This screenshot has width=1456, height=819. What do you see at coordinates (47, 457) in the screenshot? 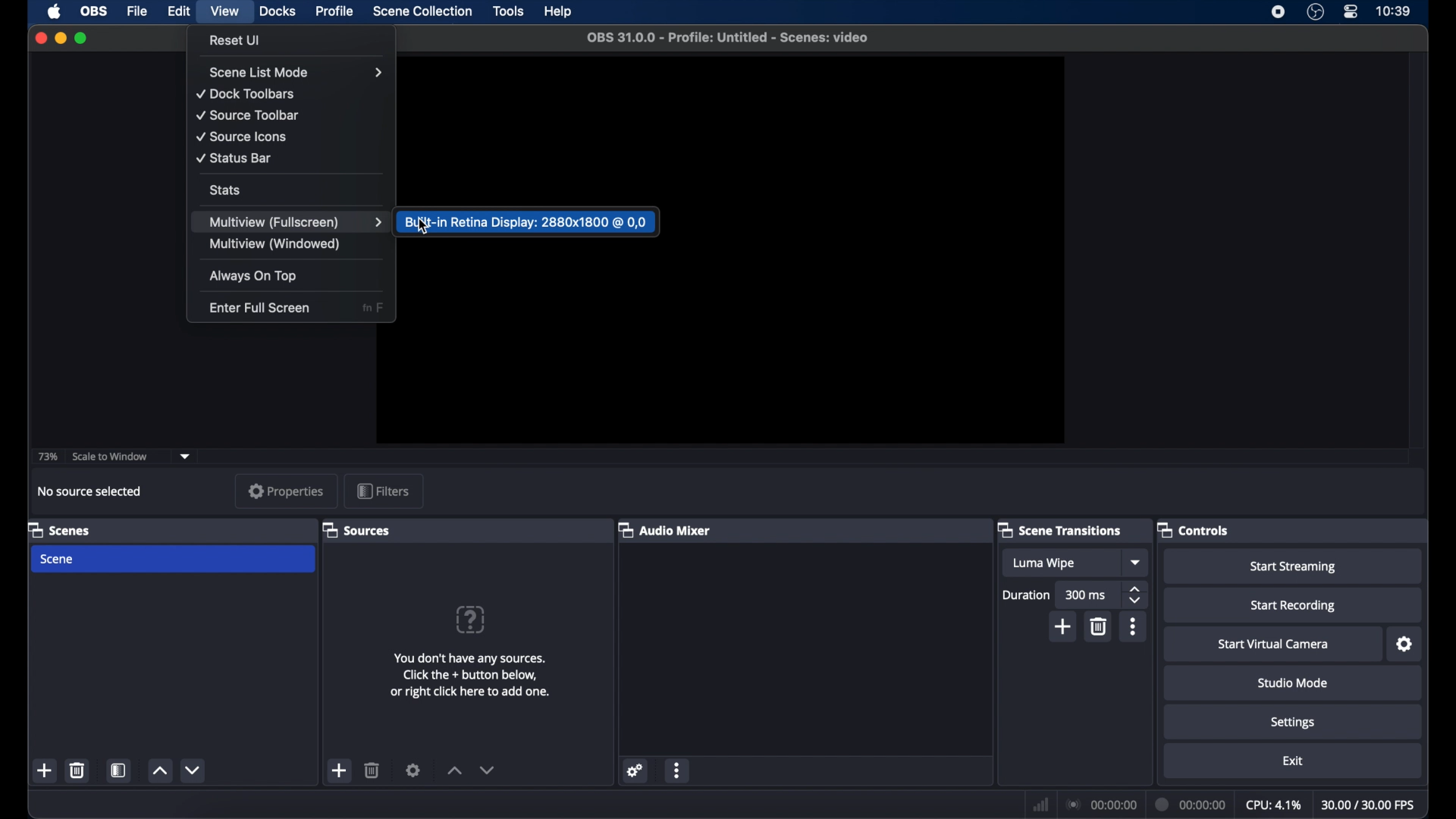
I see `73%` at bounding box center [47, 457].